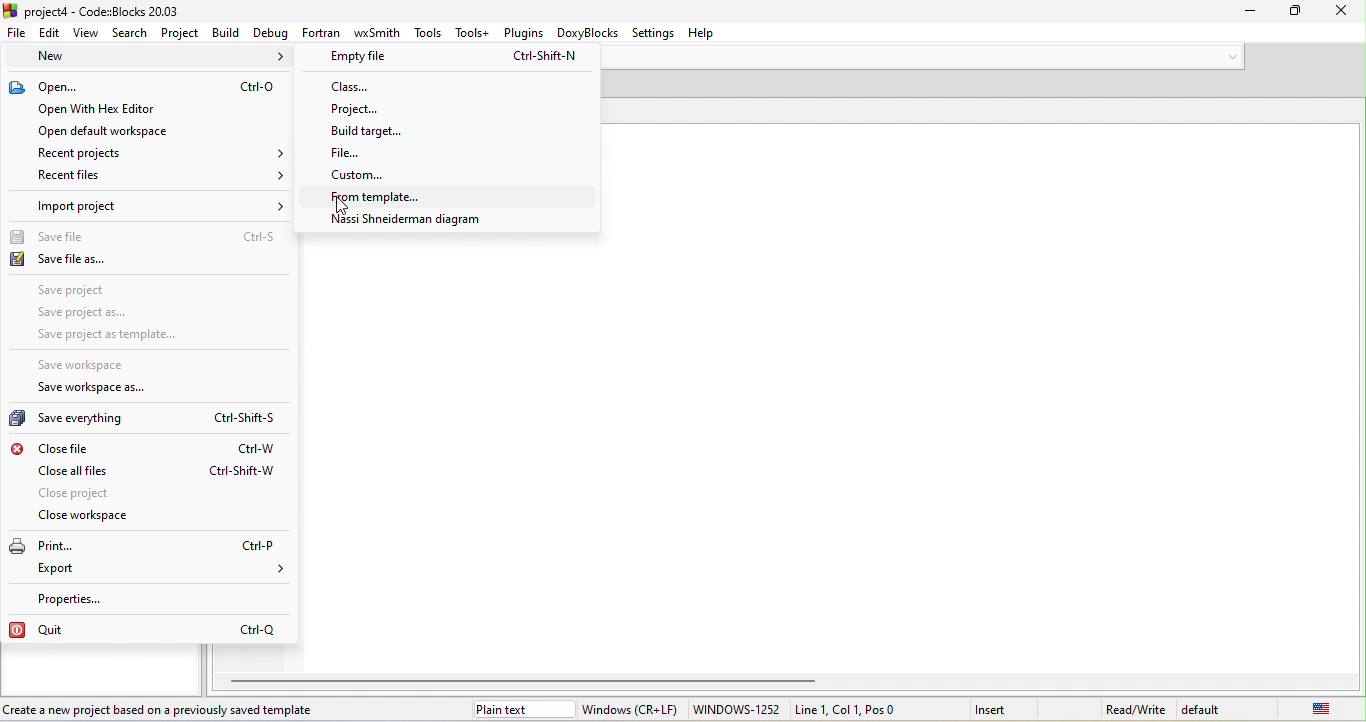 This screenshot has height=722, width=1366. What do you see at coordinates (384, 86) in the screenshot?
I see `class` at bounding box center [384, 86].